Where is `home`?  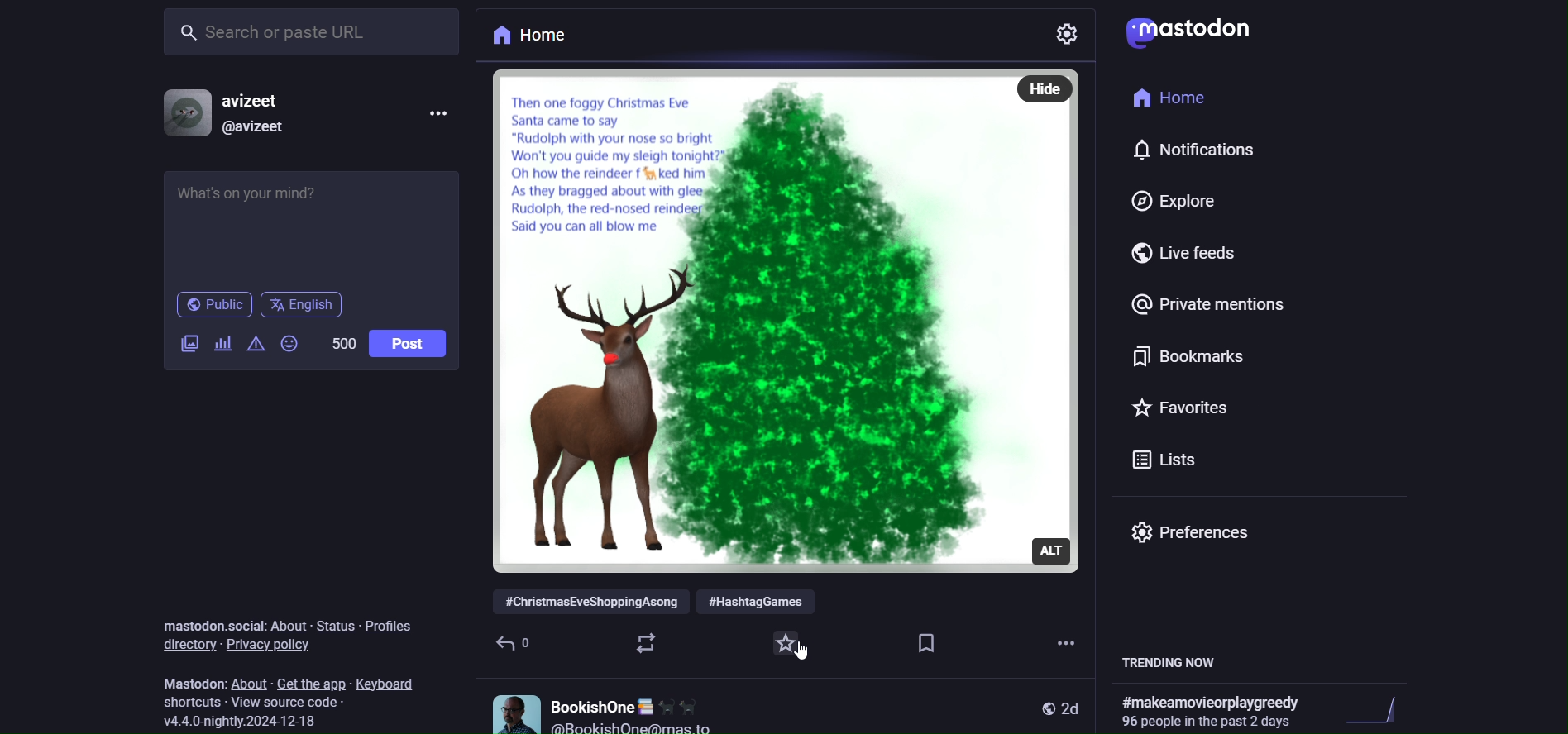
home is located at coordinates (1167, 98).